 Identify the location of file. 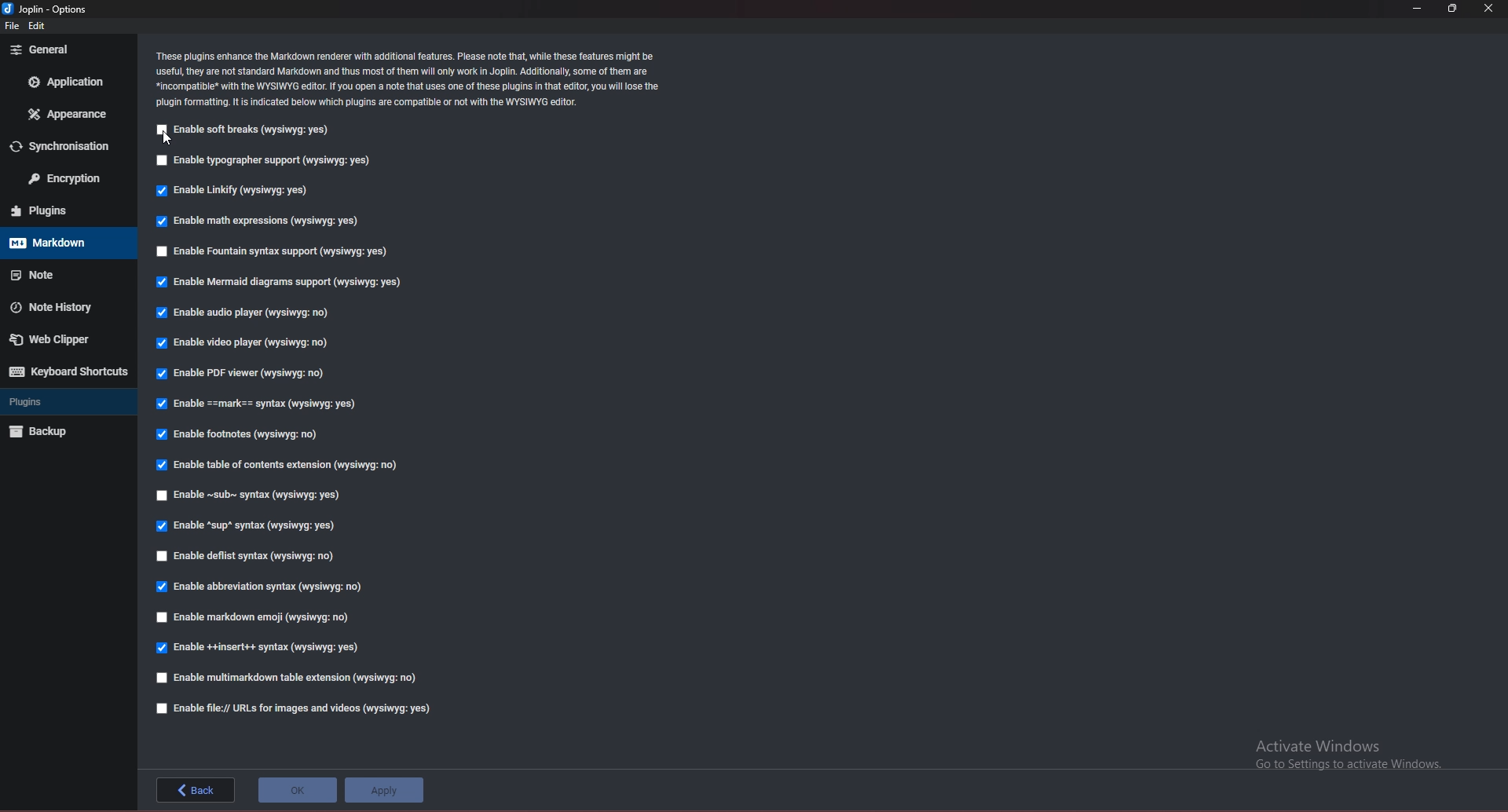
(11, 27).